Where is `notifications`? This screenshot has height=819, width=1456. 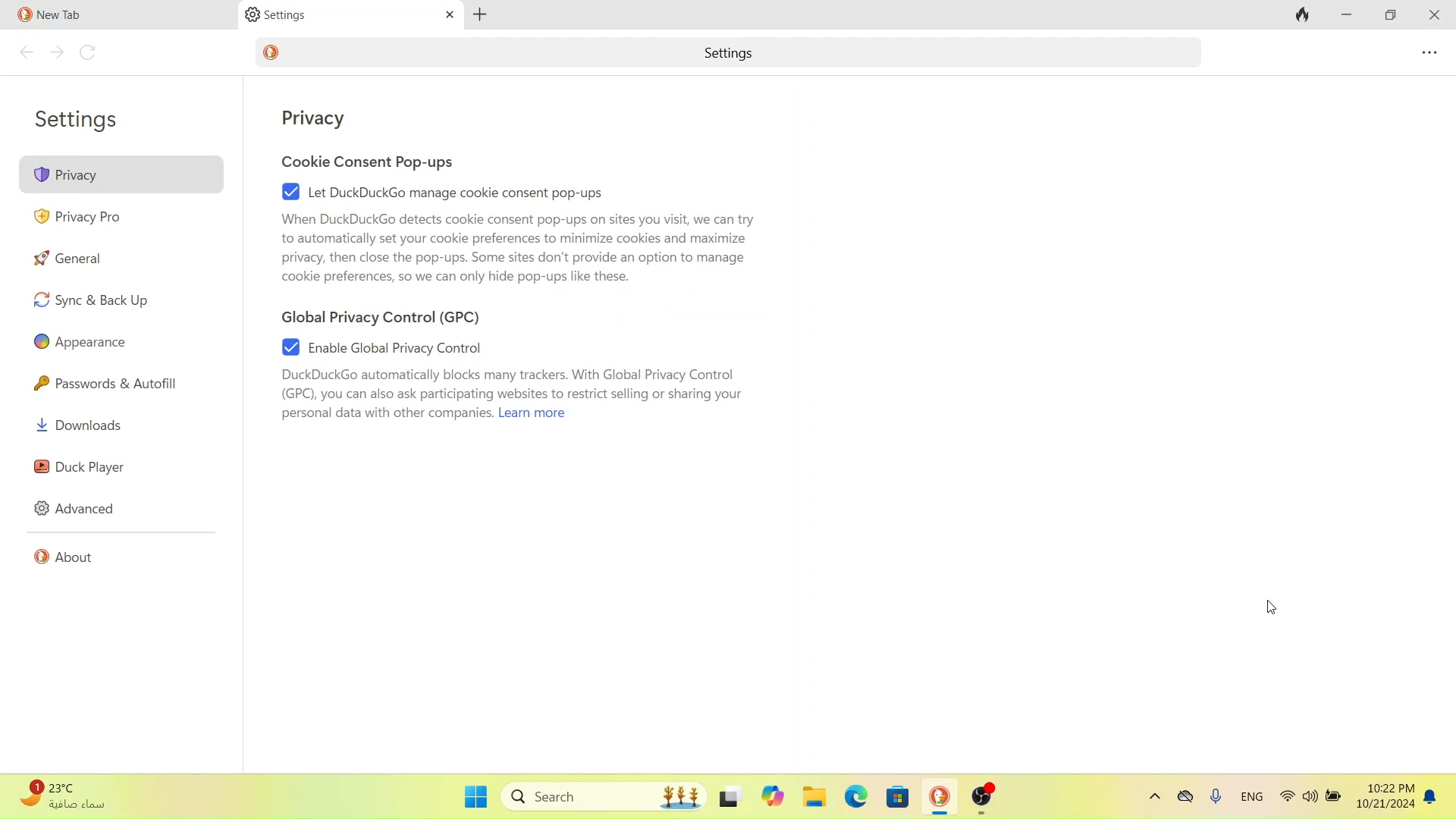 notifications is located at coordinates (1432, 800).